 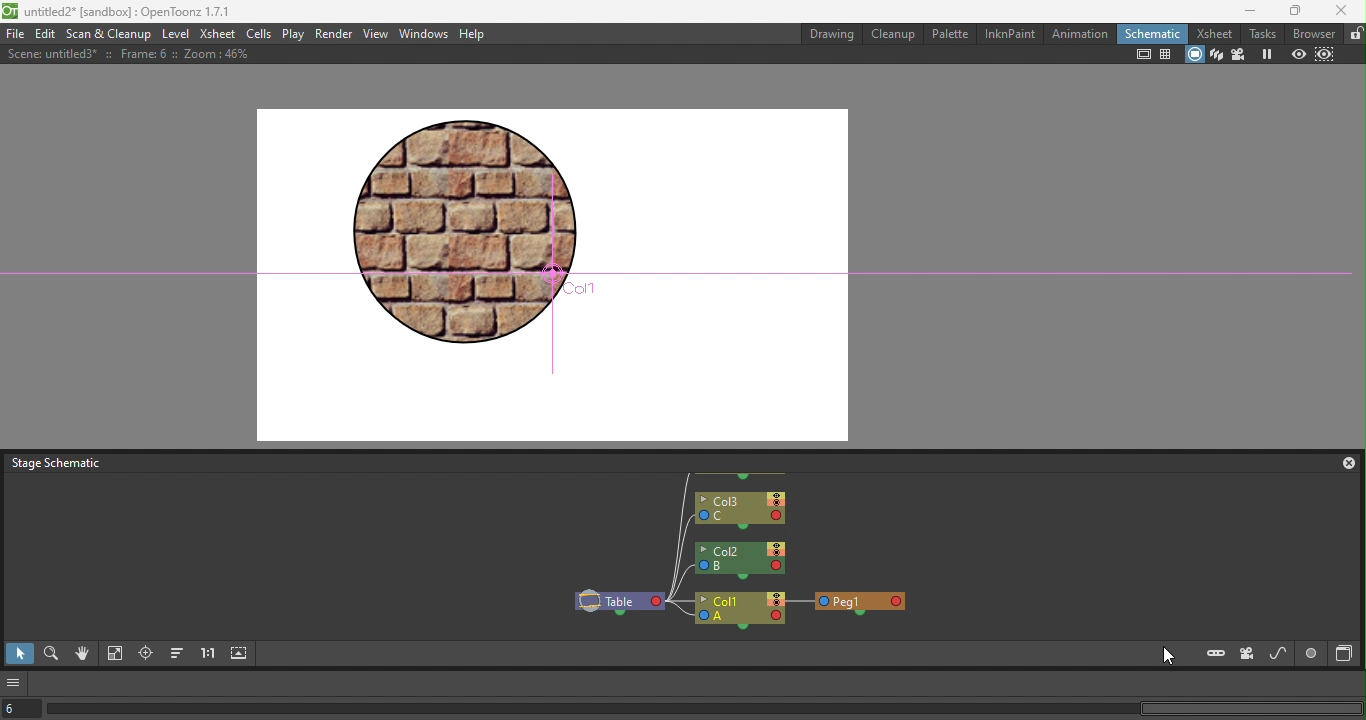 I want to click on Cleanup, so click(x=897, y=33).